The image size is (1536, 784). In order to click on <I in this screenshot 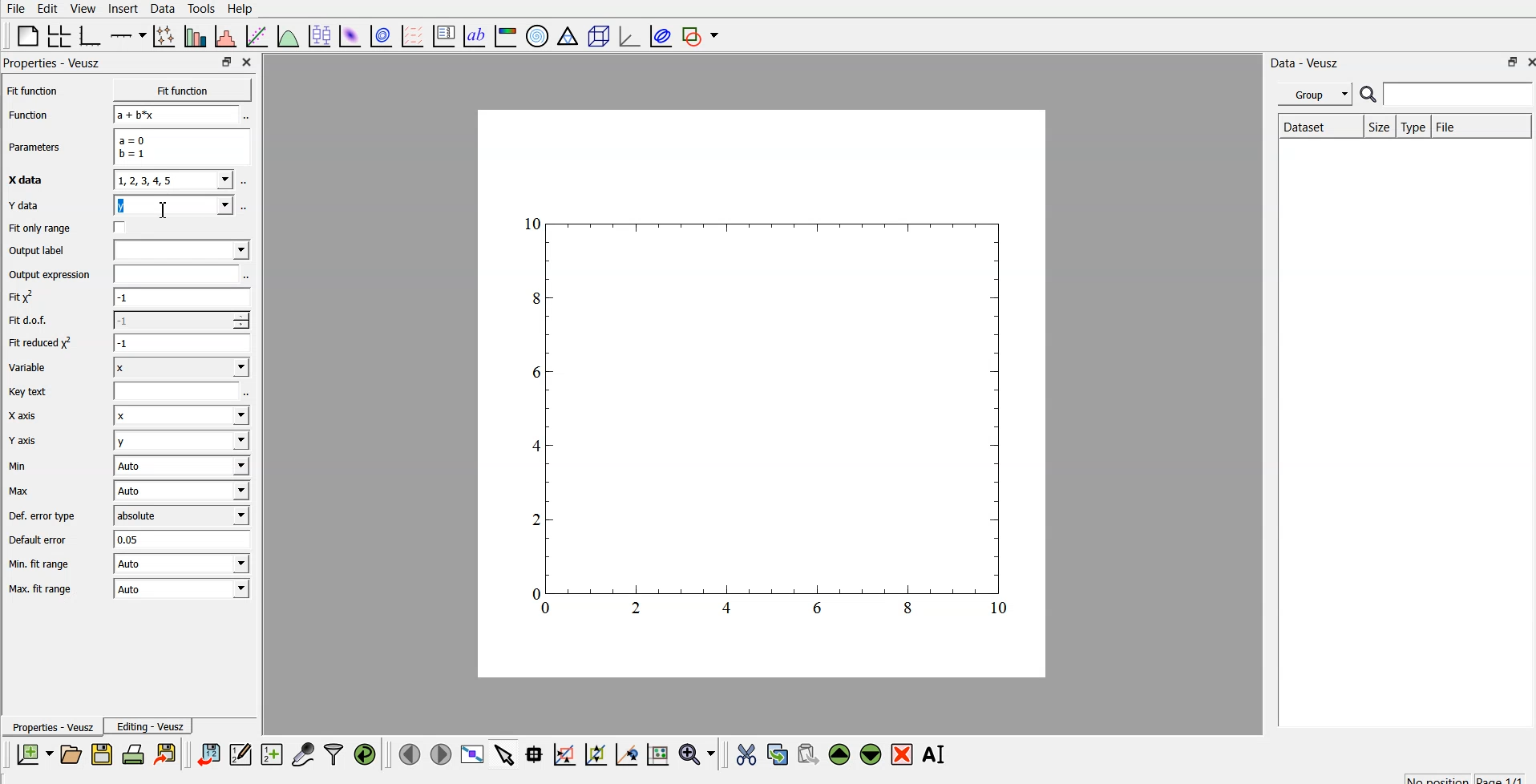, I will do `click(180, 368)`.